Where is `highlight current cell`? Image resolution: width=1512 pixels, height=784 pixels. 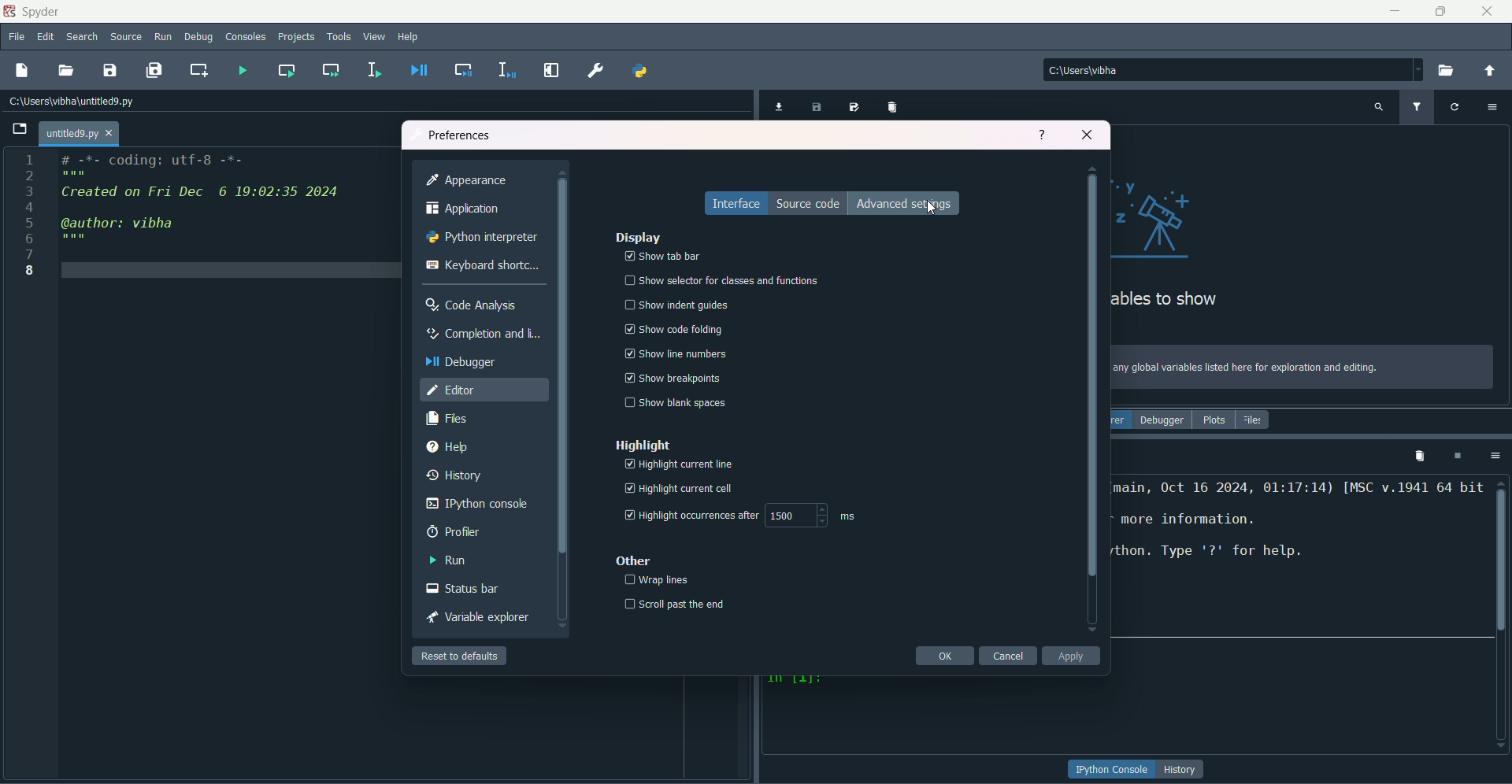 highlight current cell is located at coordinates (683, 488).